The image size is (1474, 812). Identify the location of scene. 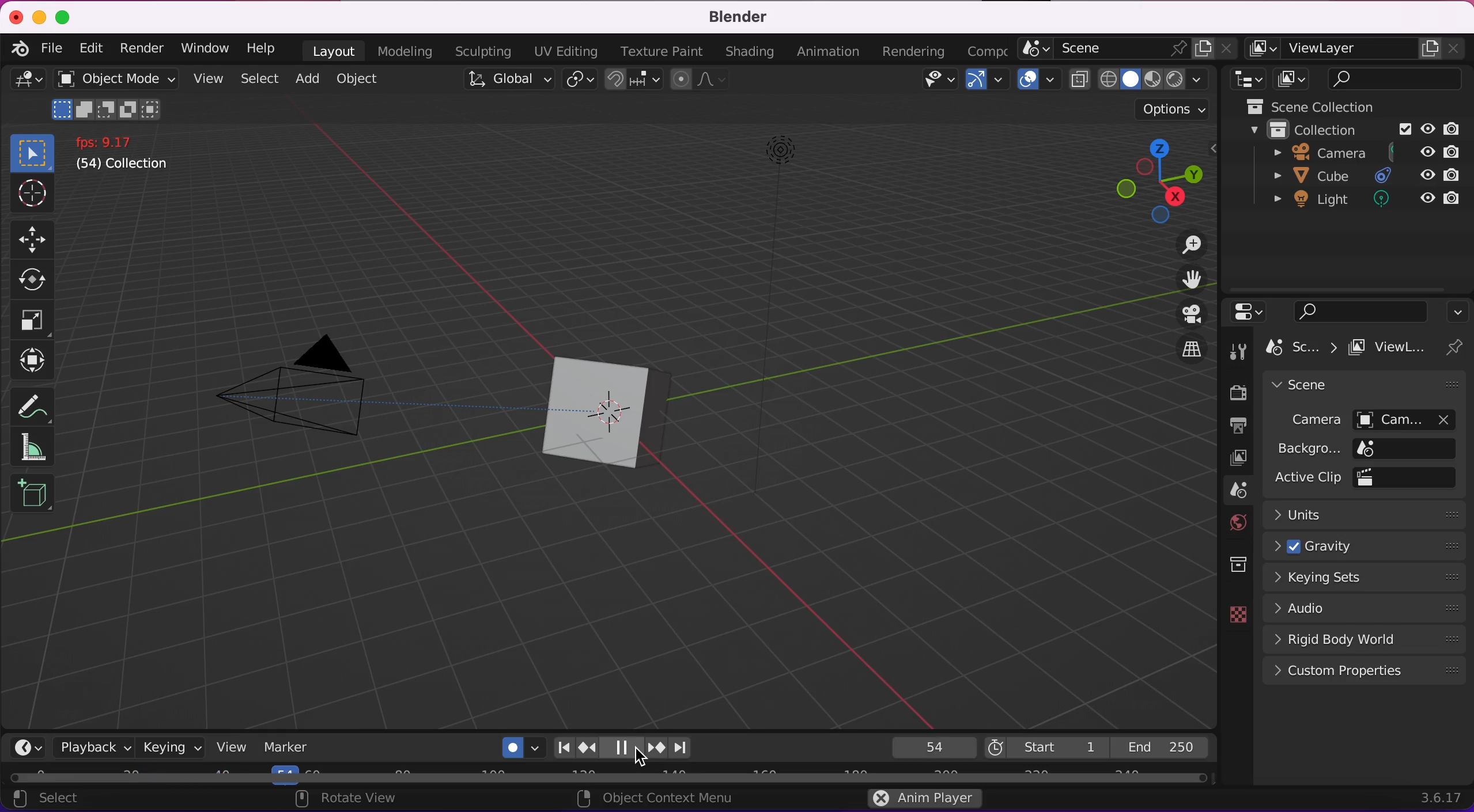
(1122, 49).